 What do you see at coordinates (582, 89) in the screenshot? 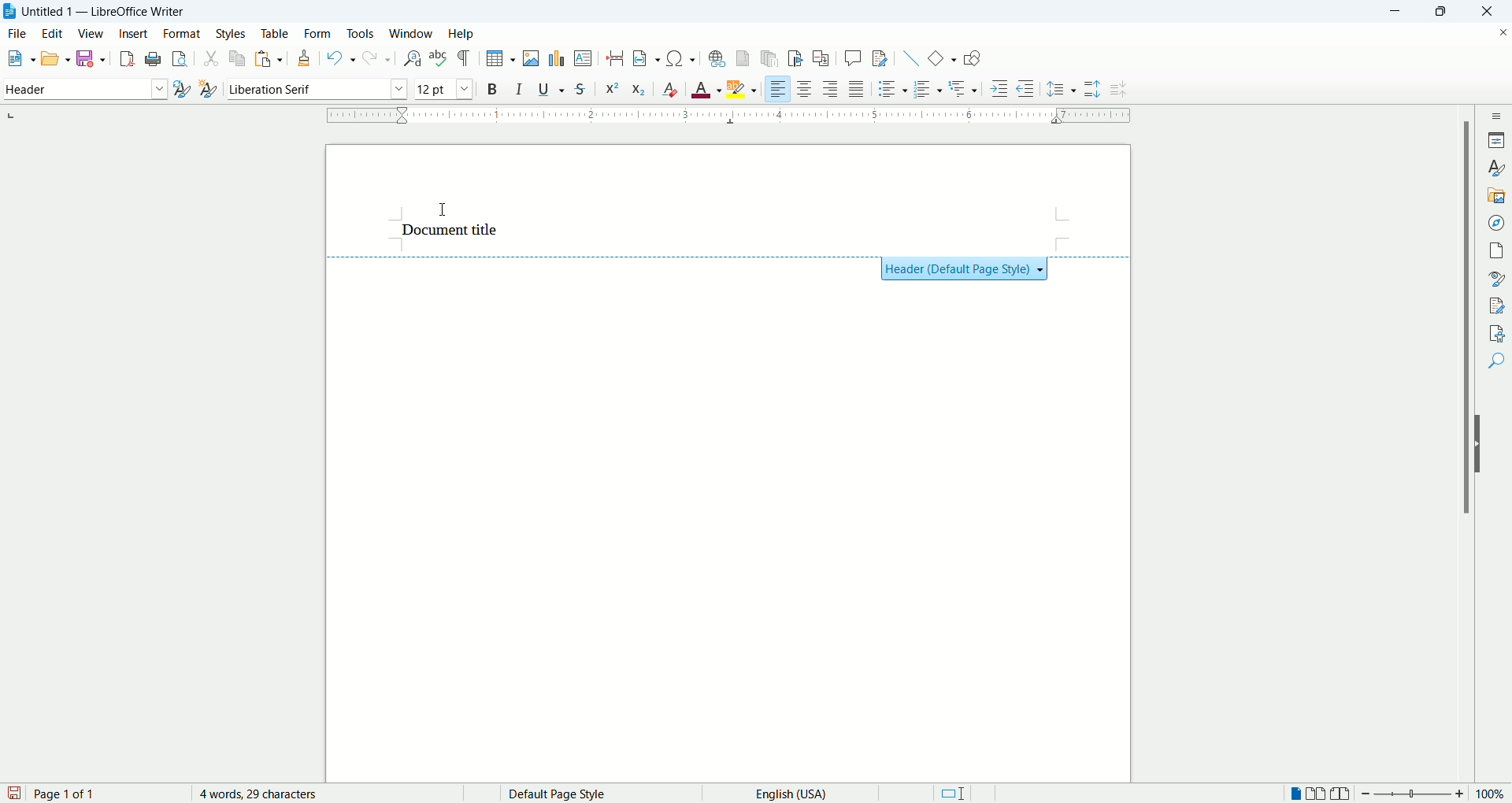
I see `strikethrough` at bounding box center [582, 89].